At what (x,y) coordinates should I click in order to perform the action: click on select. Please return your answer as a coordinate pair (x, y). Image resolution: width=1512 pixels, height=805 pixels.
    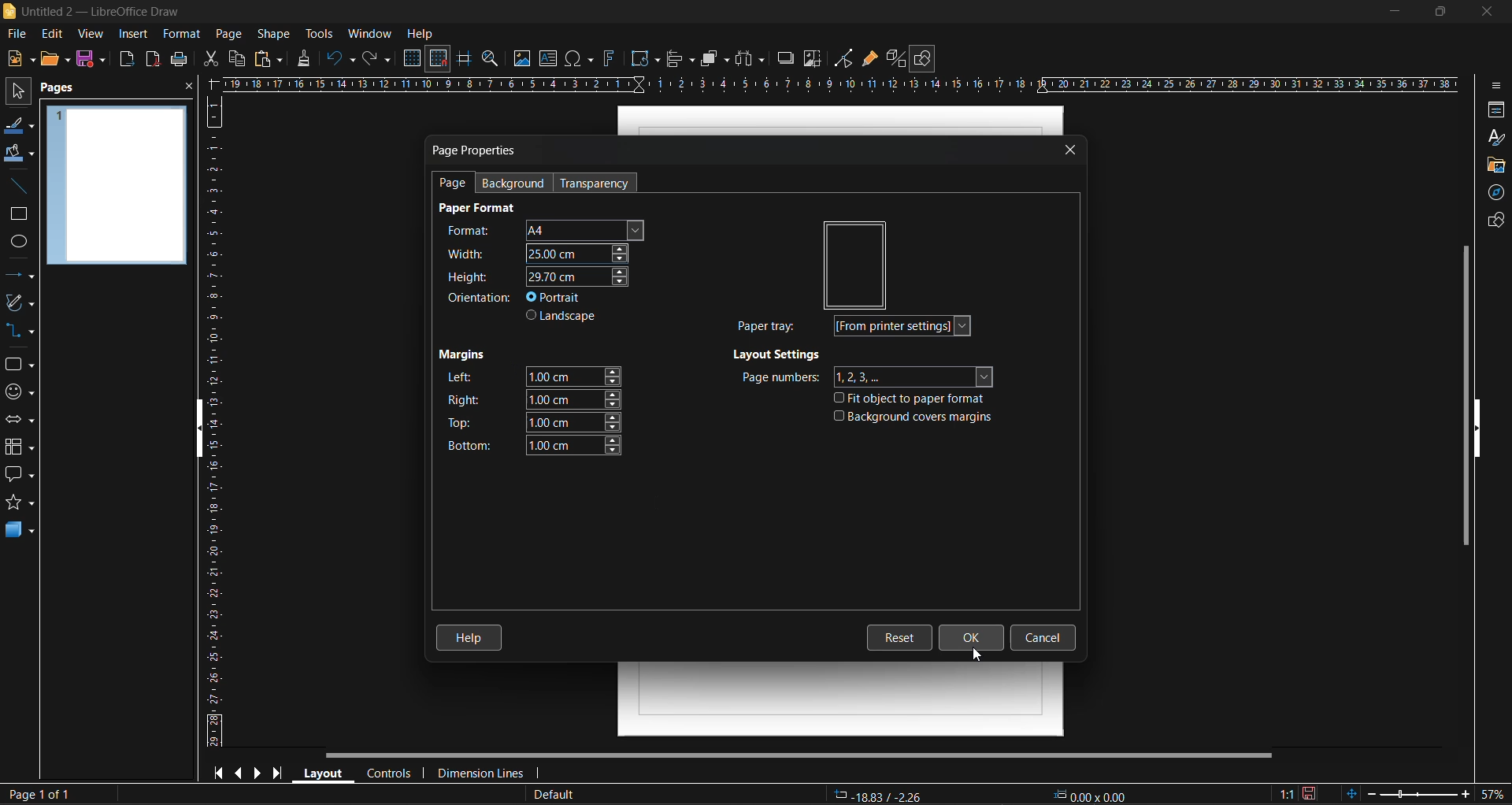
    Looking at the image, I should click on (20, 94).